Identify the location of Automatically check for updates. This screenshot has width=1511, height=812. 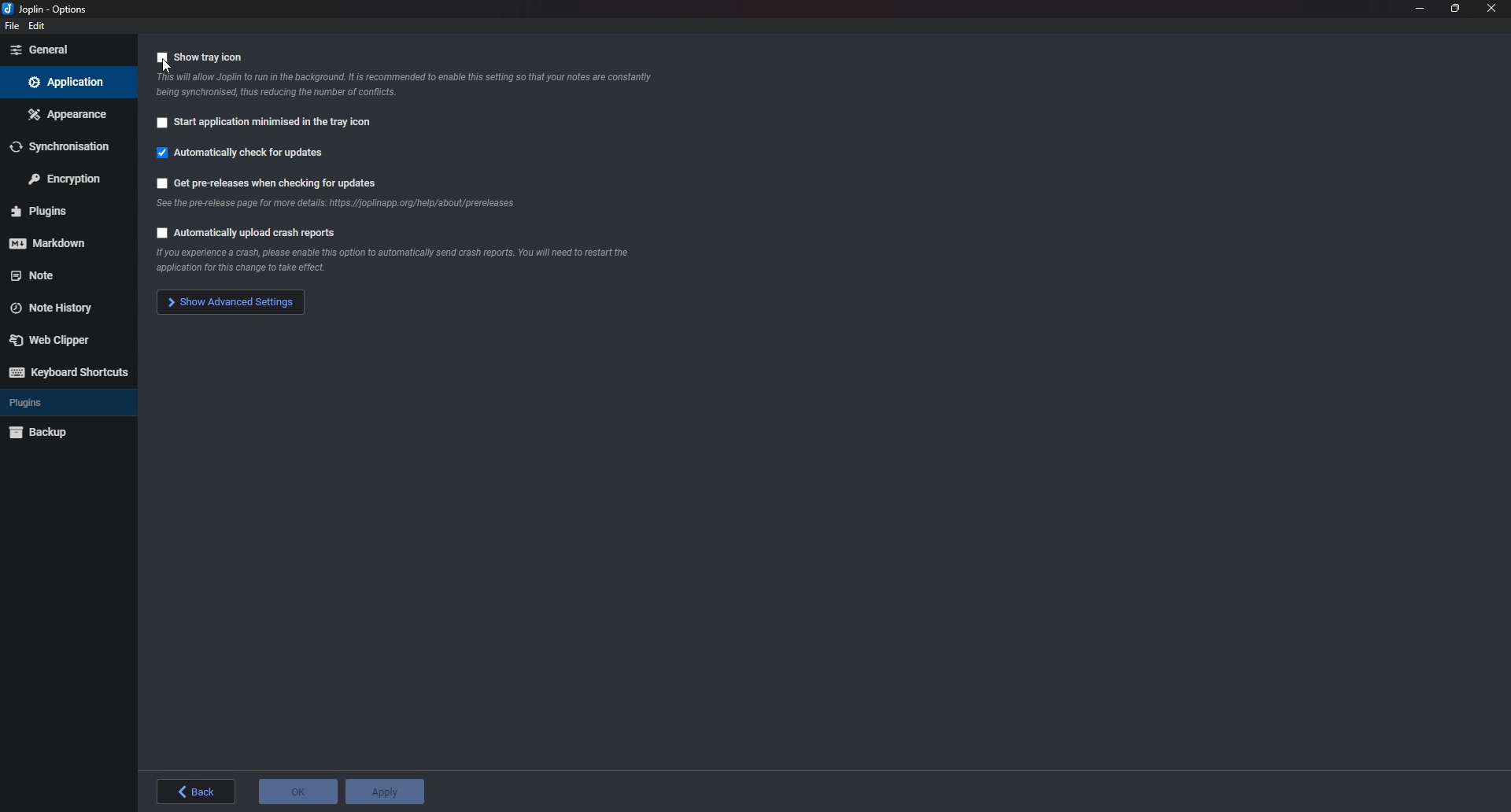
(248, 157).